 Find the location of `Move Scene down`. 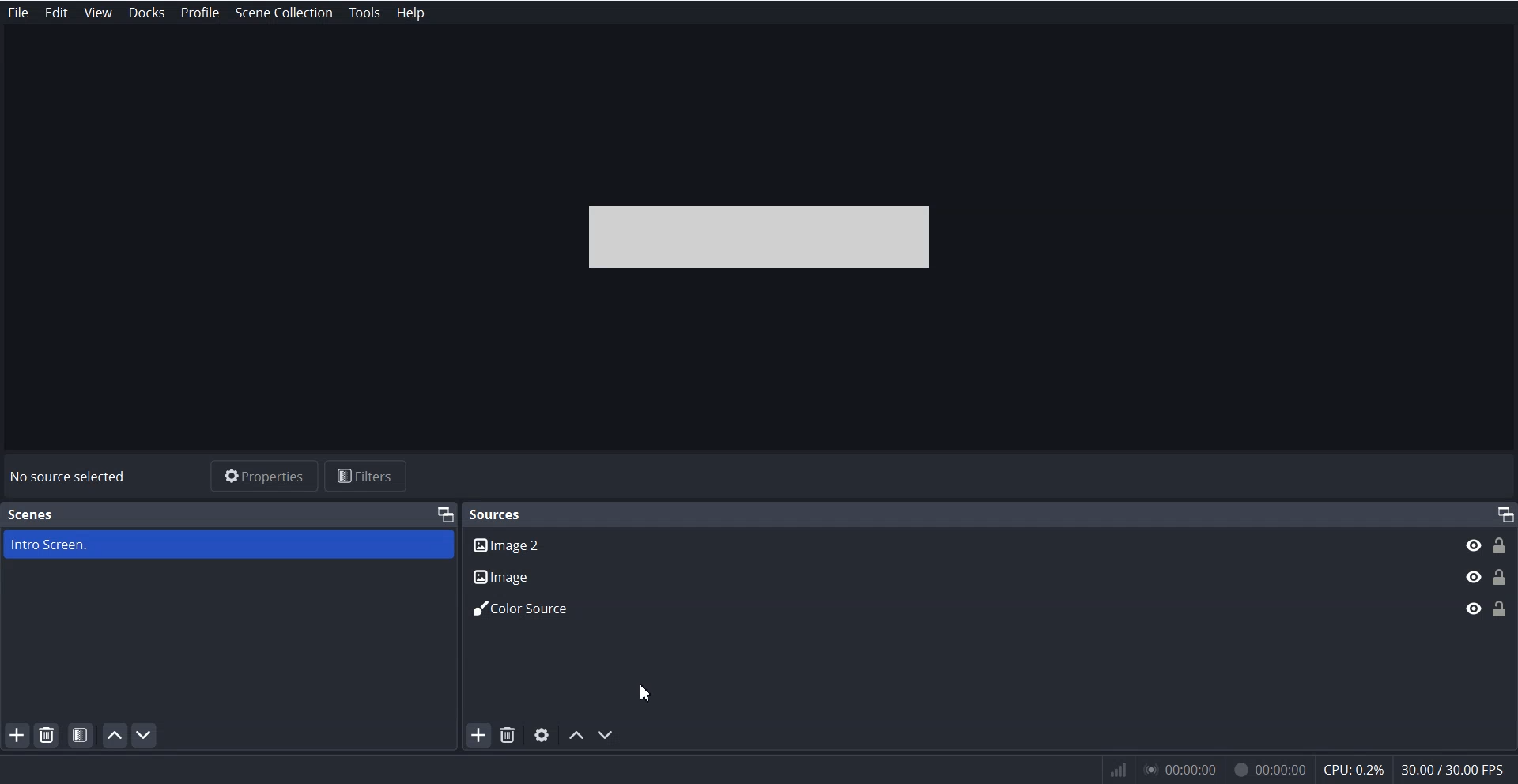

Move Scene down is located at coordinates (609, 735).